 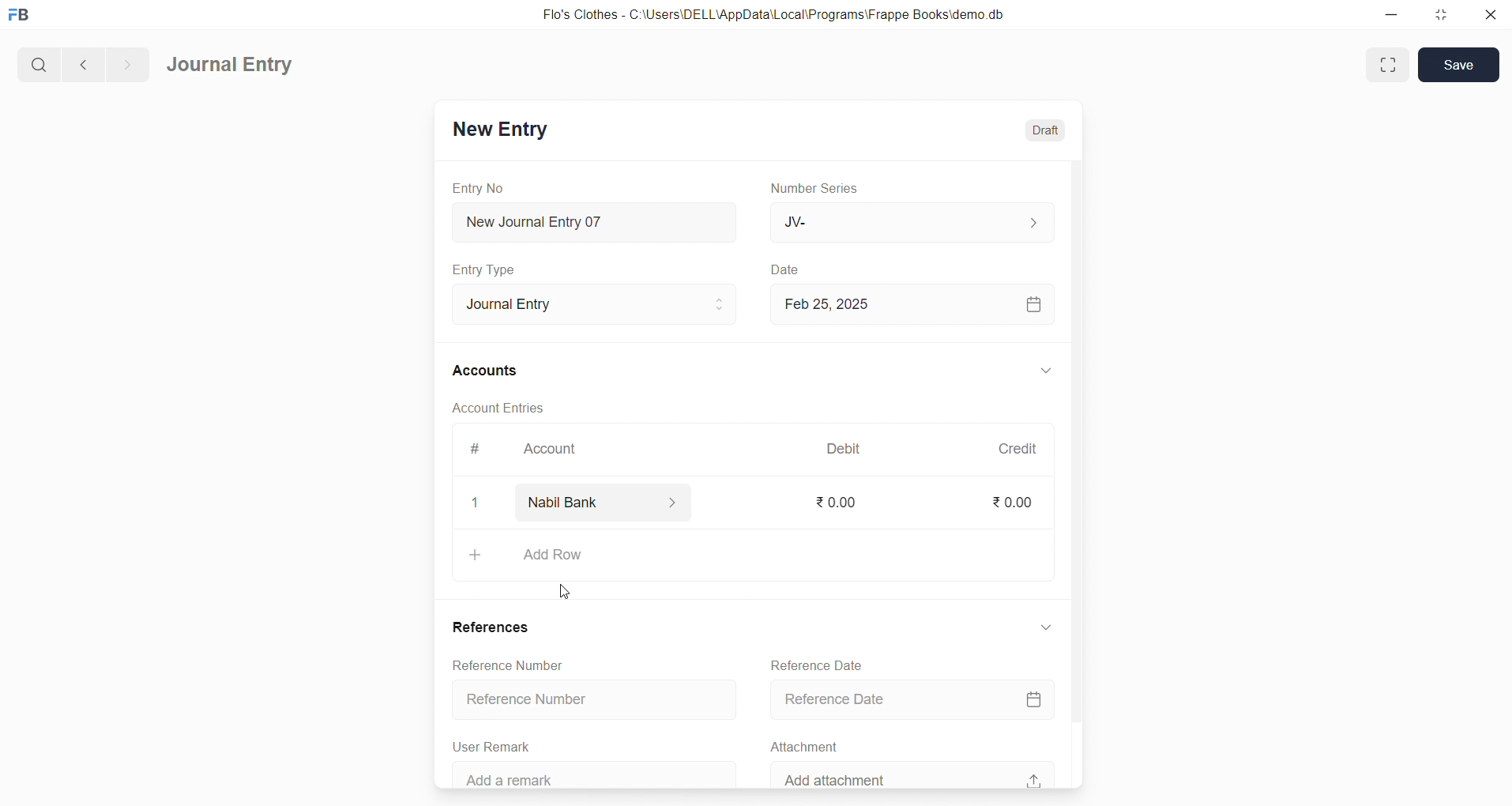 What do you see at coordinates (1017, 448) in the screenshot?
I see `Credit` at bounding box center [1017, 448].